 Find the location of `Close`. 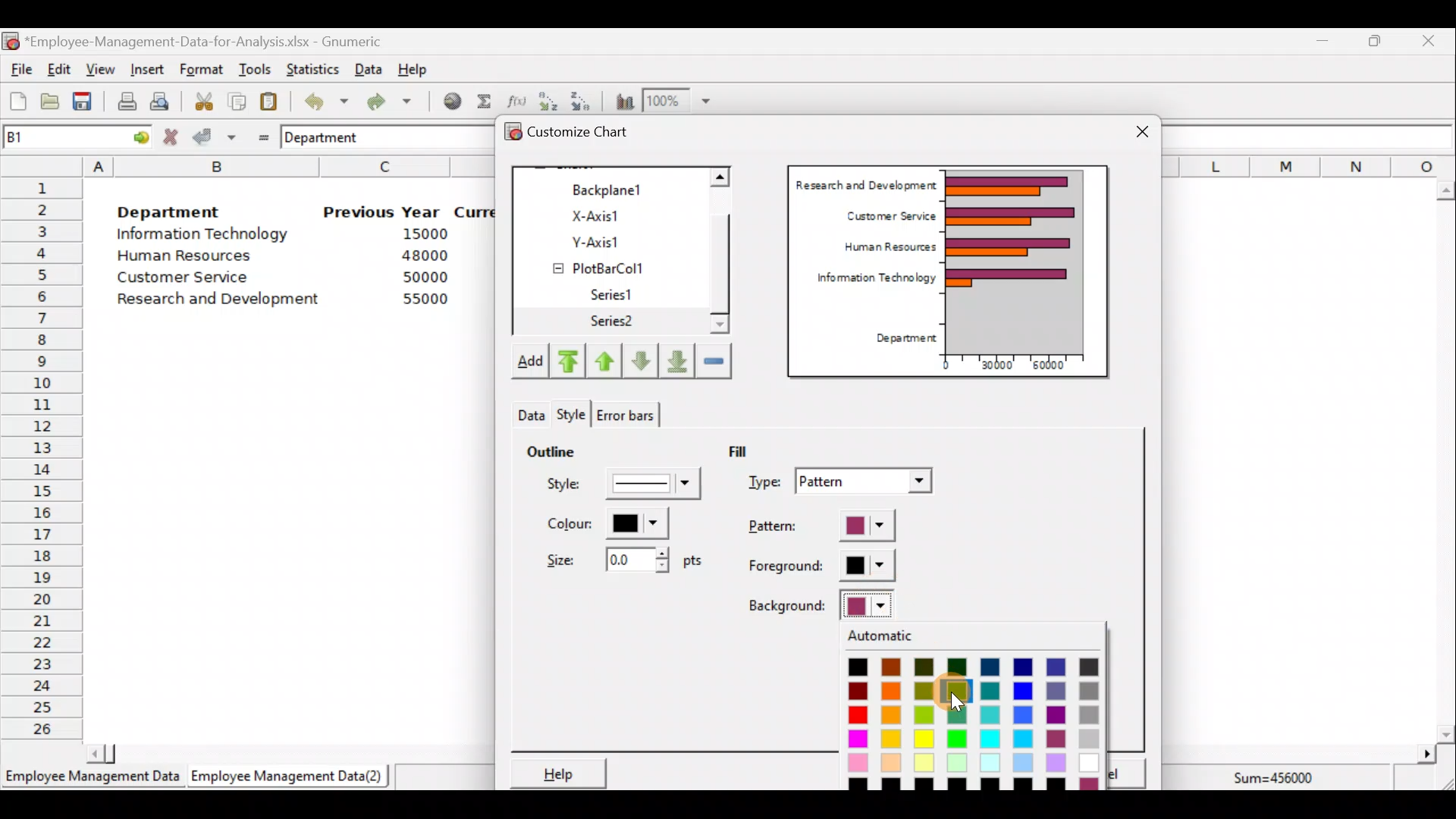

Close is located at coordinates (1142, 133).